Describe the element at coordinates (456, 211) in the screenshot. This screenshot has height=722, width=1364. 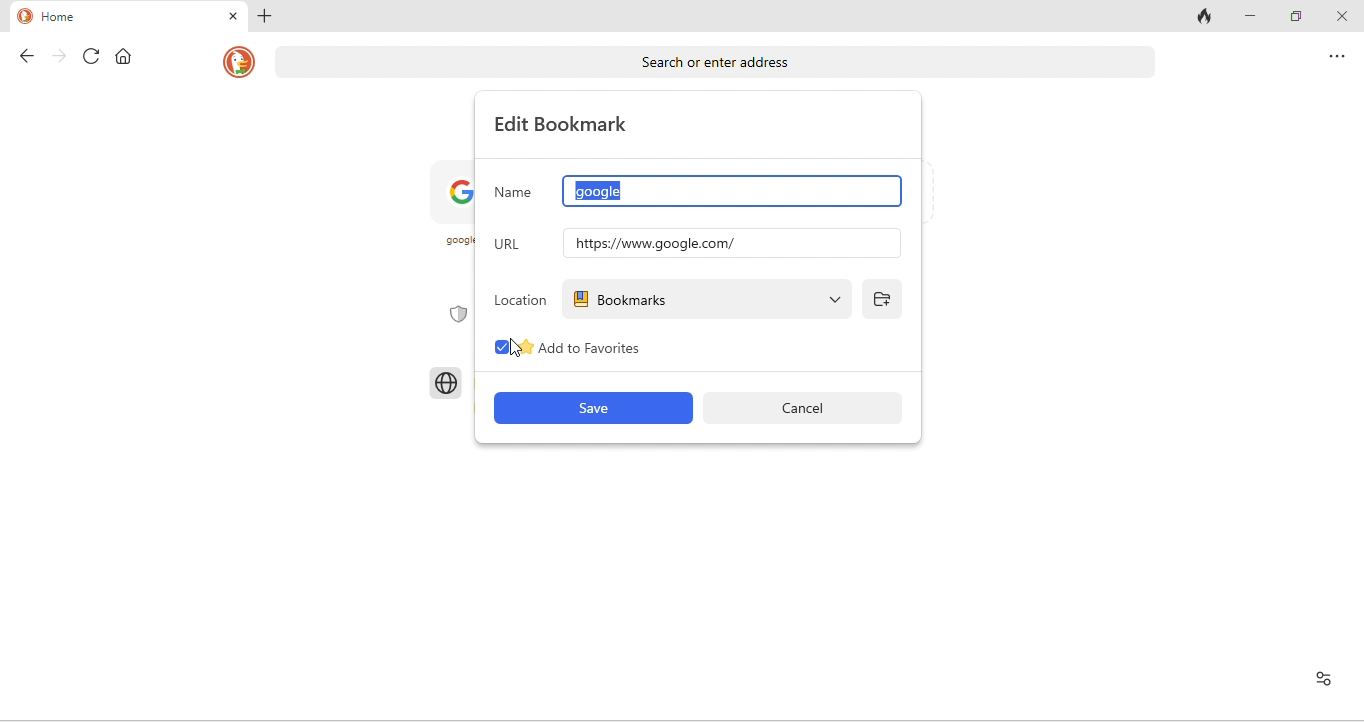
I see `google` at that location.